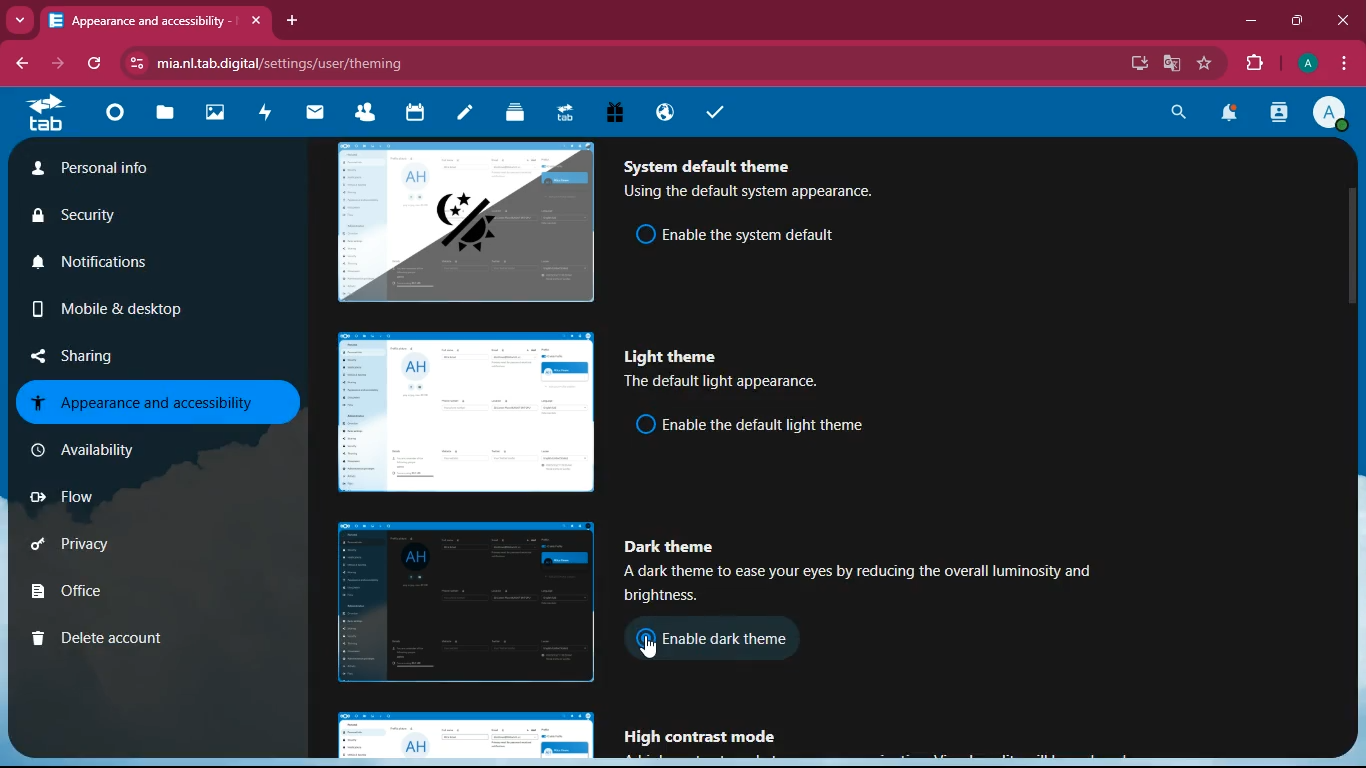  I want to click on mail, so click(316, 112).